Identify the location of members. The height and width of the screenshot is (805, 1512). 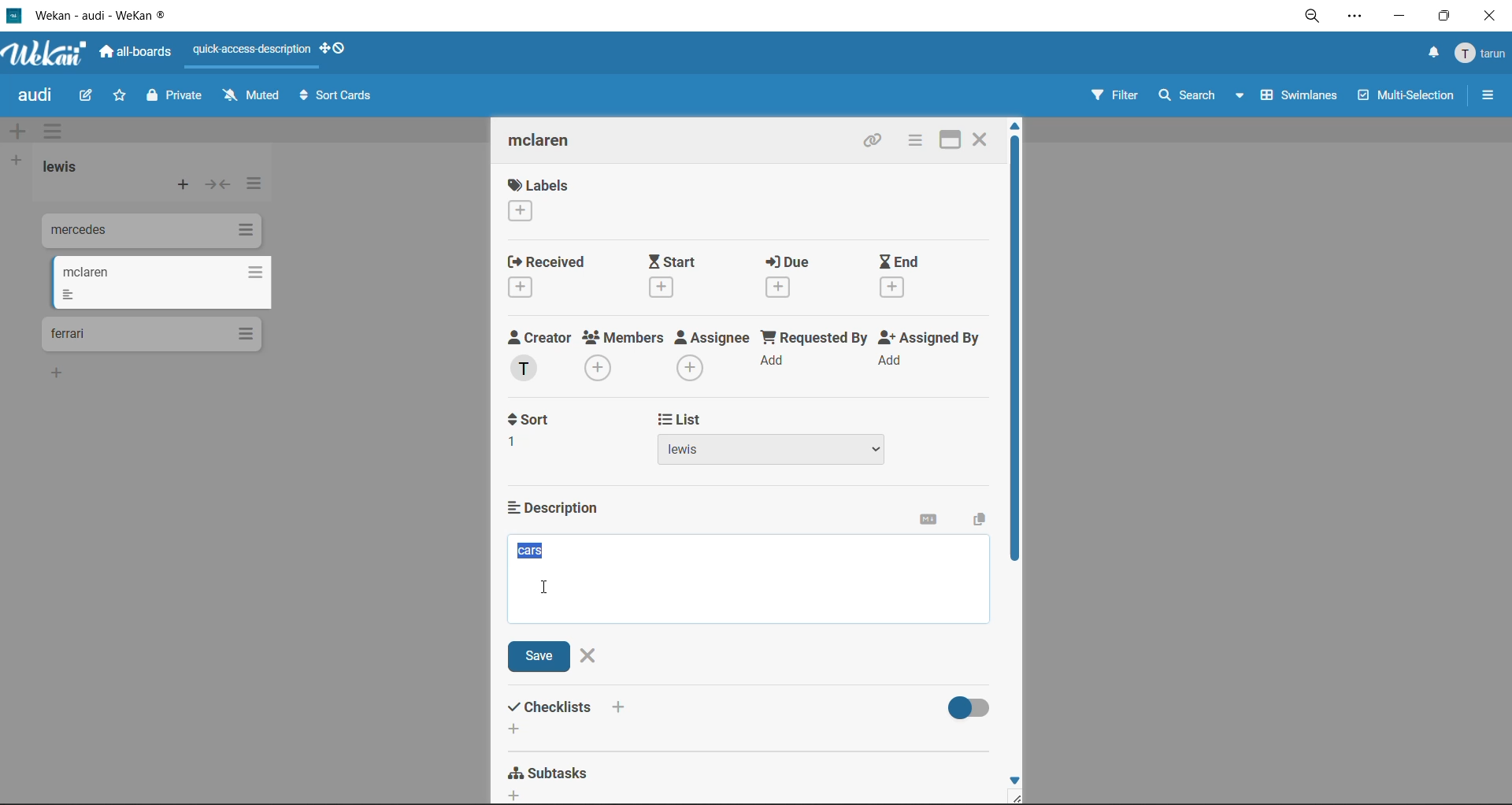
(626, 358).